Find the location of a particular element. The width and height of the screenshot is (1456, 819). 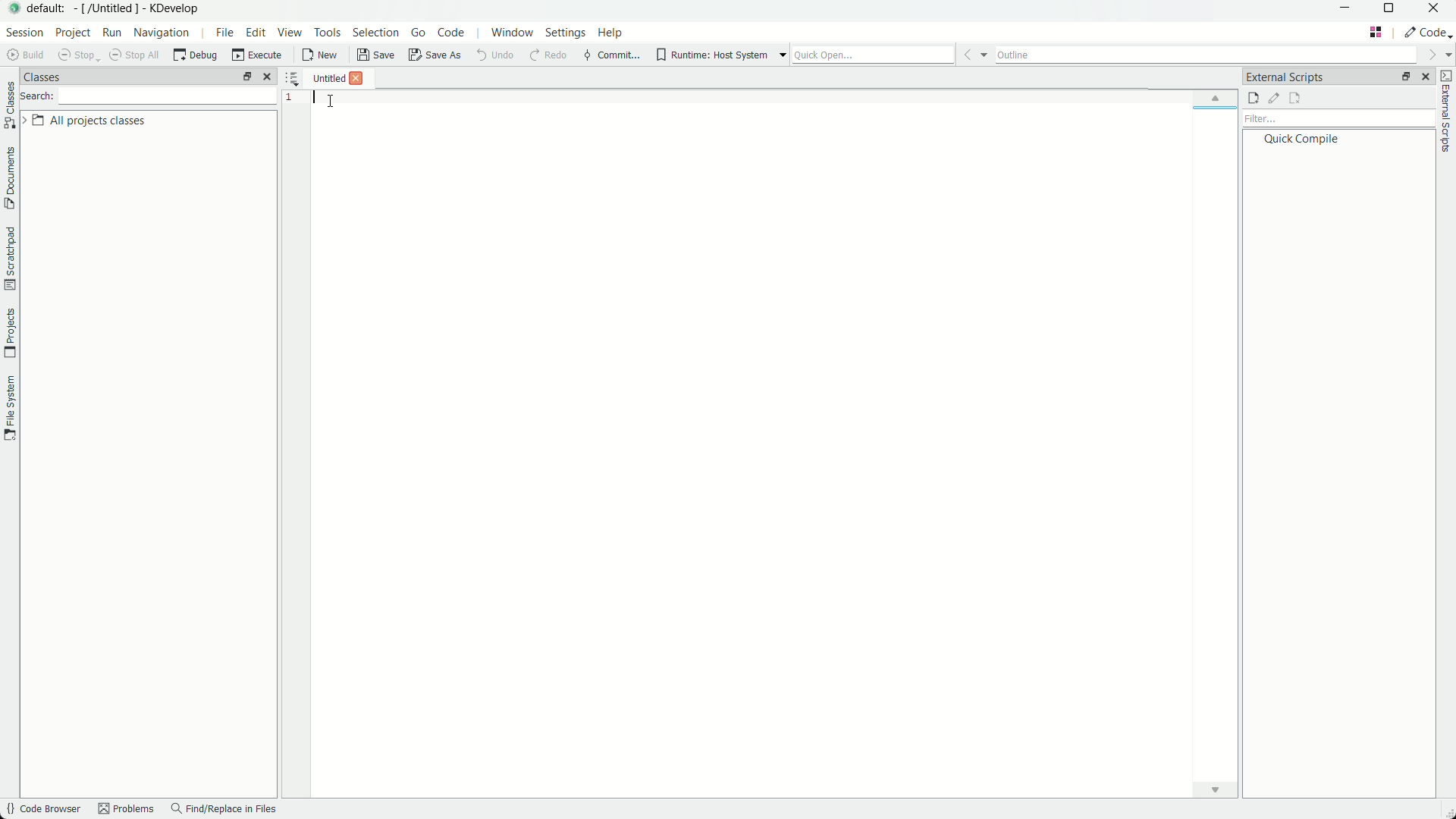

Problems is located at coordinates (128, 811).